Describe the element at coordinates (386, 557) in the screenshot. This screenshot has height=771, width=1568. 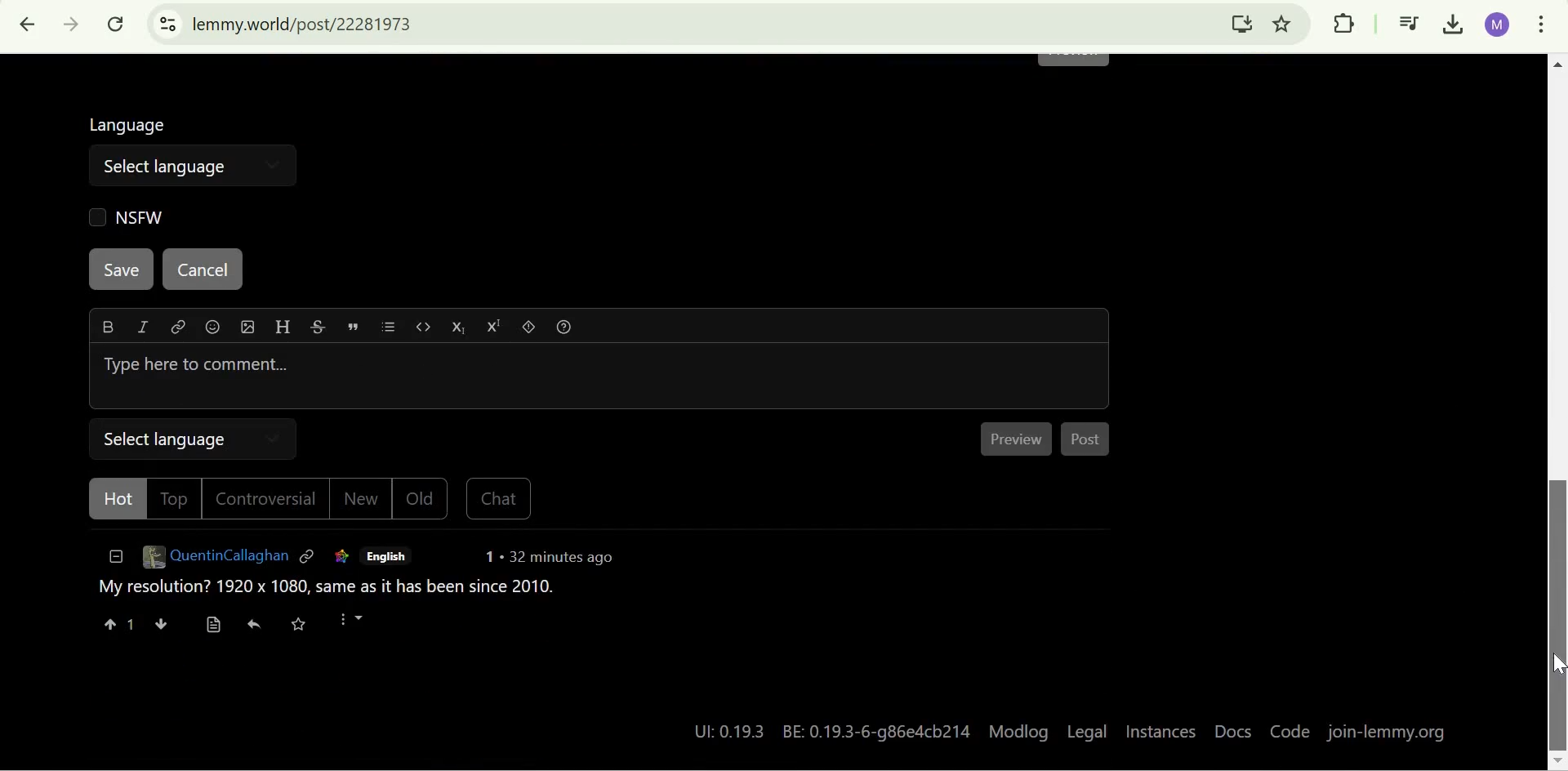
I see `English` at that location.